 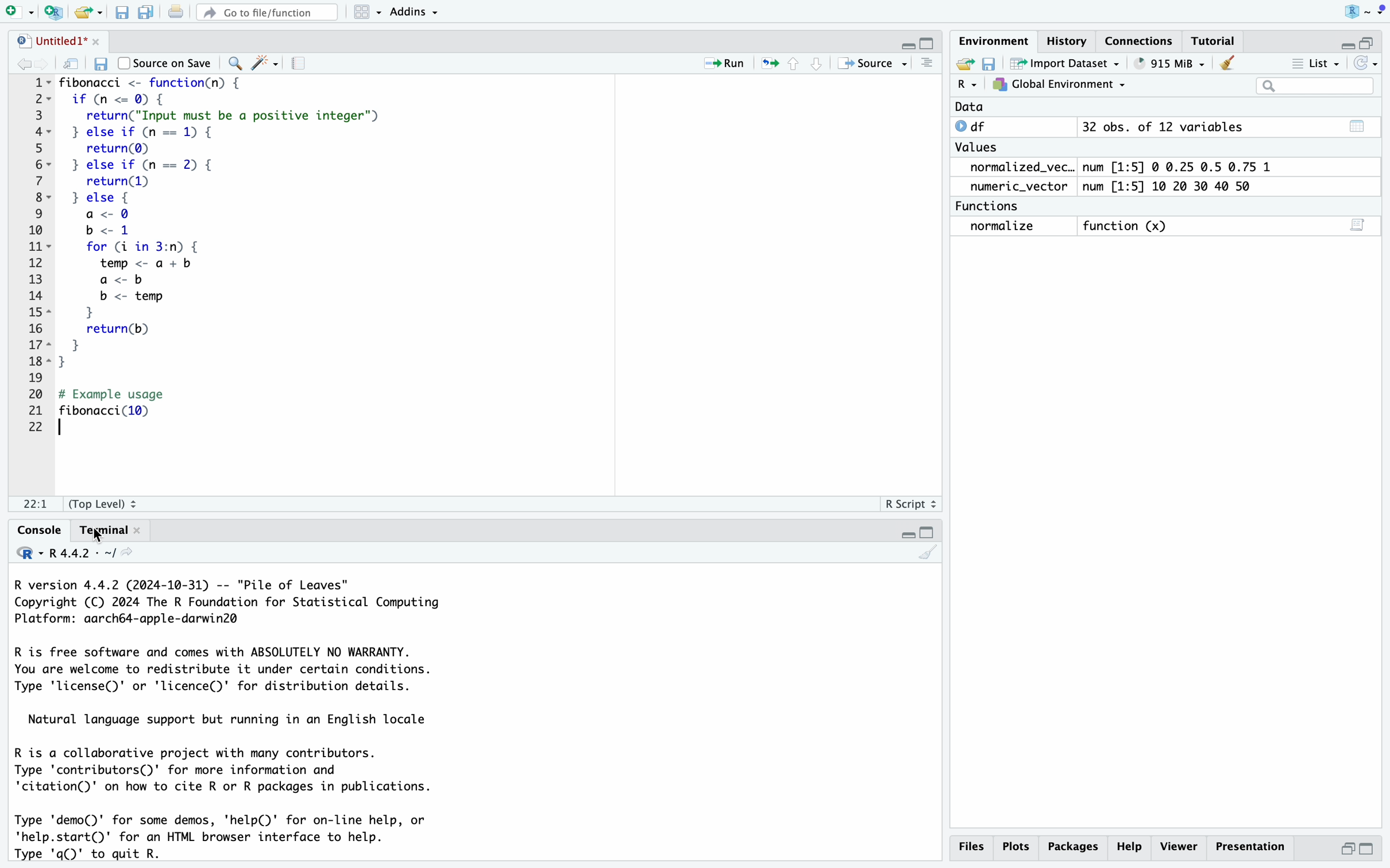 What do you see at coordinates (1347, 849) in the screenshot?
I see `minimize` at bounding box center [1347, 849].